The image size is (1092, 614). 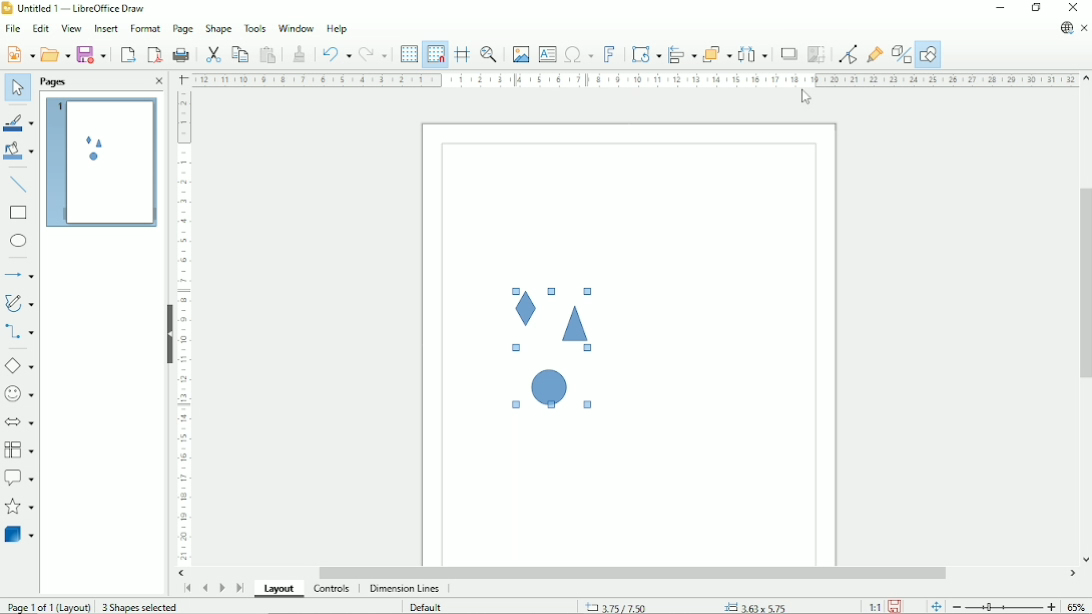 I want to click on Show gluepoint functions, so click(x=876, y=54).